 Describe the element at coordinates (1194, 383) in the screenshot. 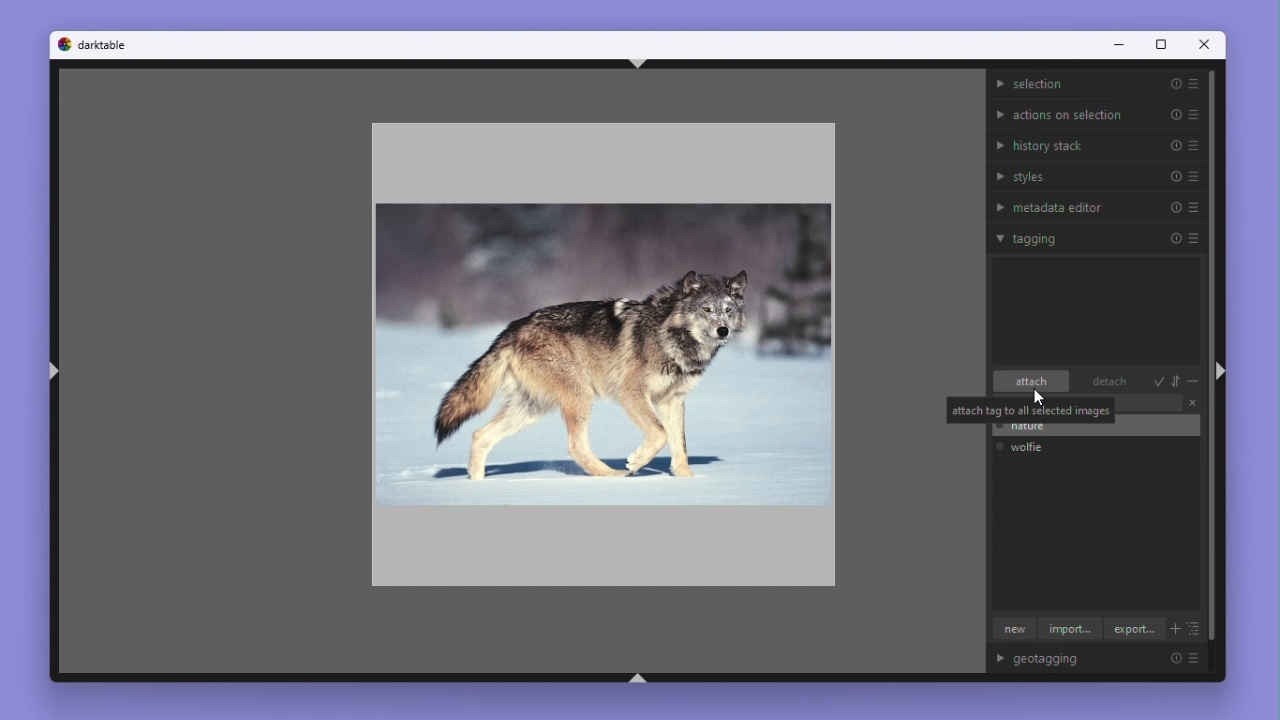

I see `Minimise` at that location.